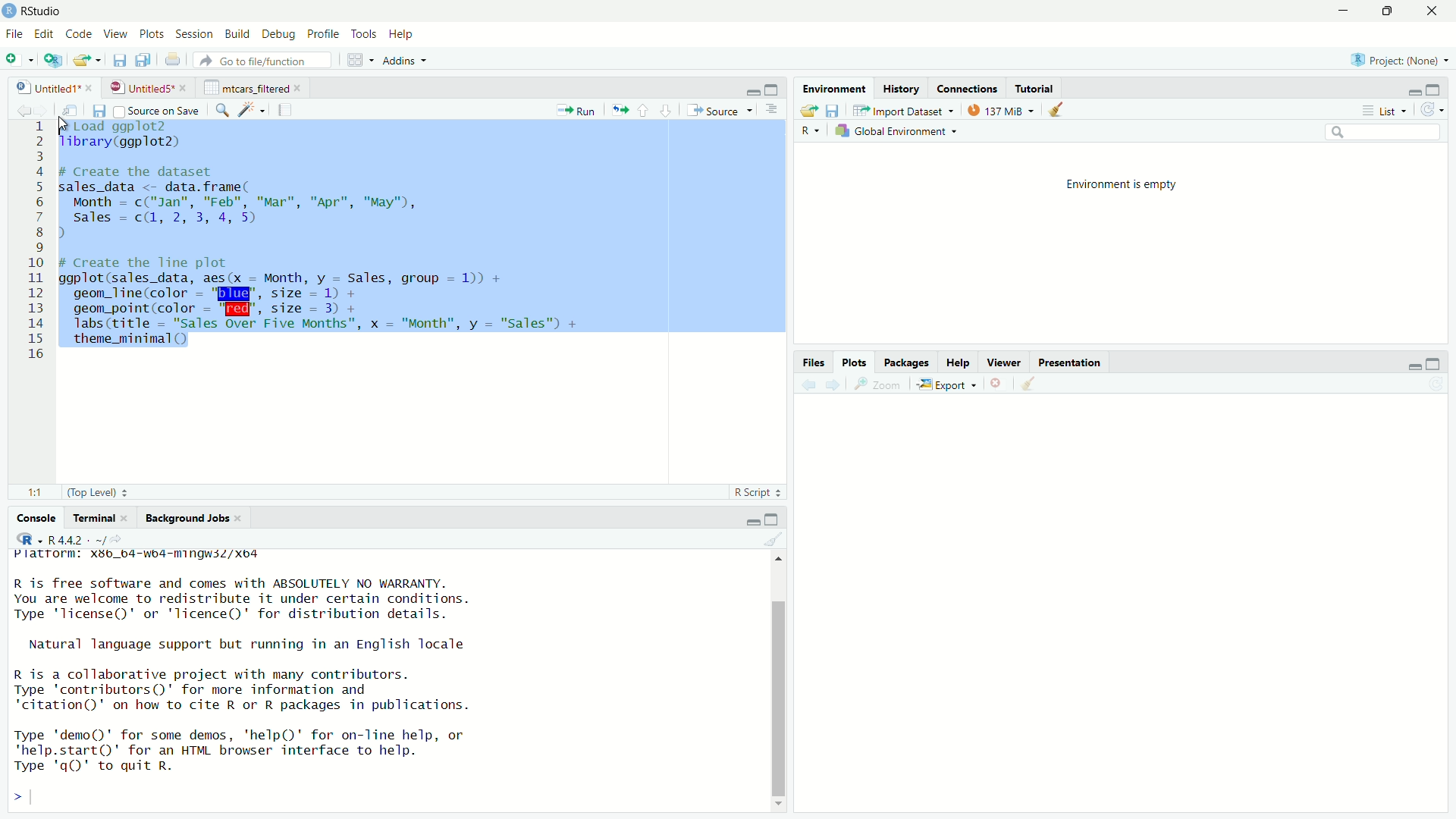 Image resolution: width=1456 pixels, height=819 pixels. Describe the element at coordinates (753, 492) in the screenshot. I see `R Script` at that location.